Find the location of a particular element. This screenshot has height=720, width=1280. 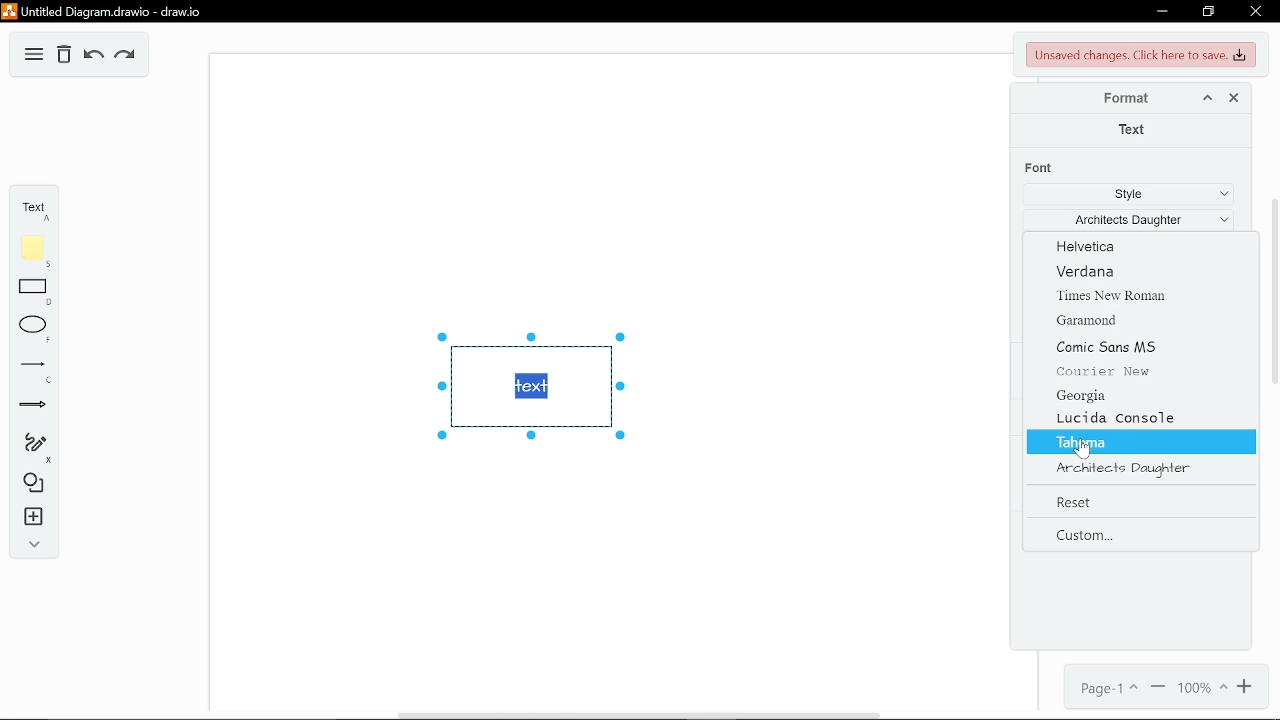

font is located at coordinates (1041, 168).